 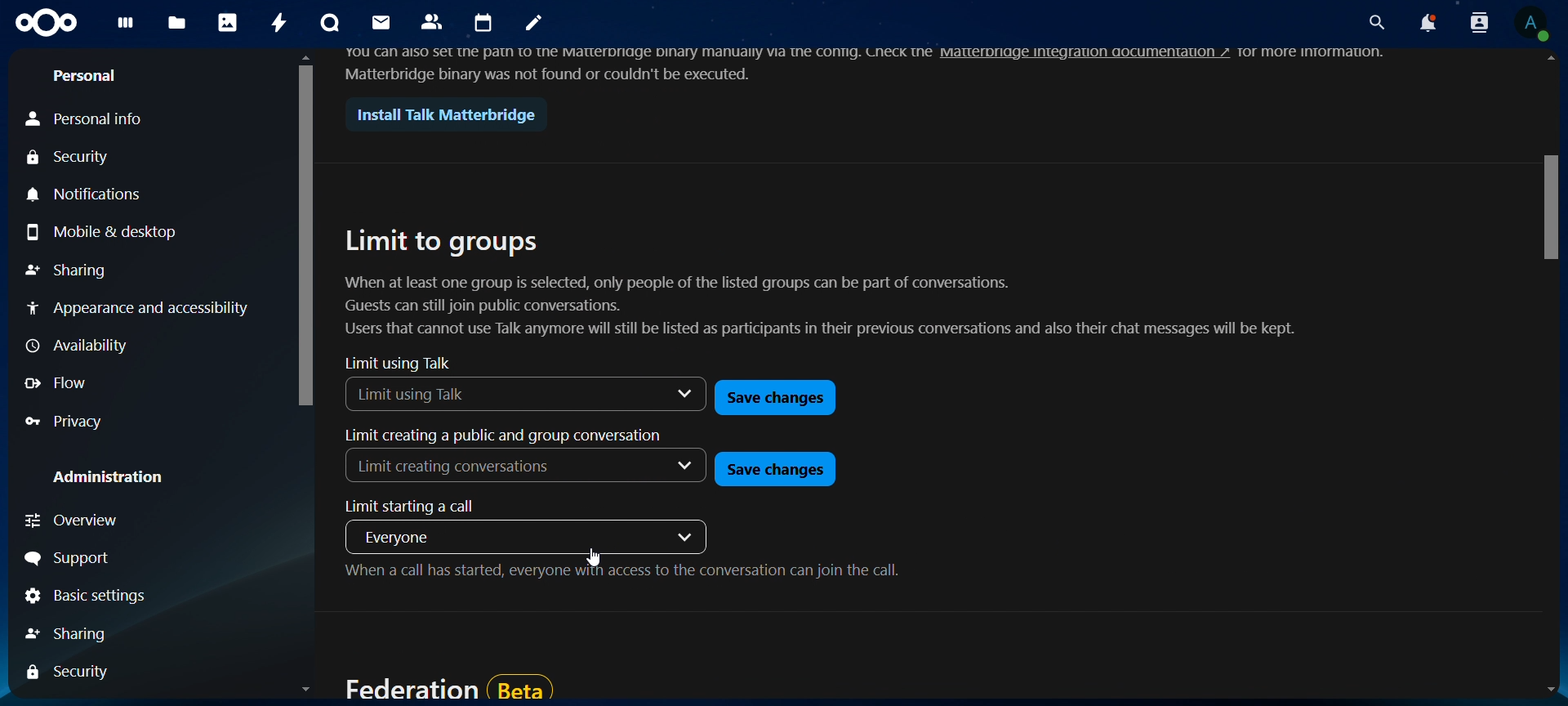 I want to click on limit starting a call, so click(x=416, y=505).